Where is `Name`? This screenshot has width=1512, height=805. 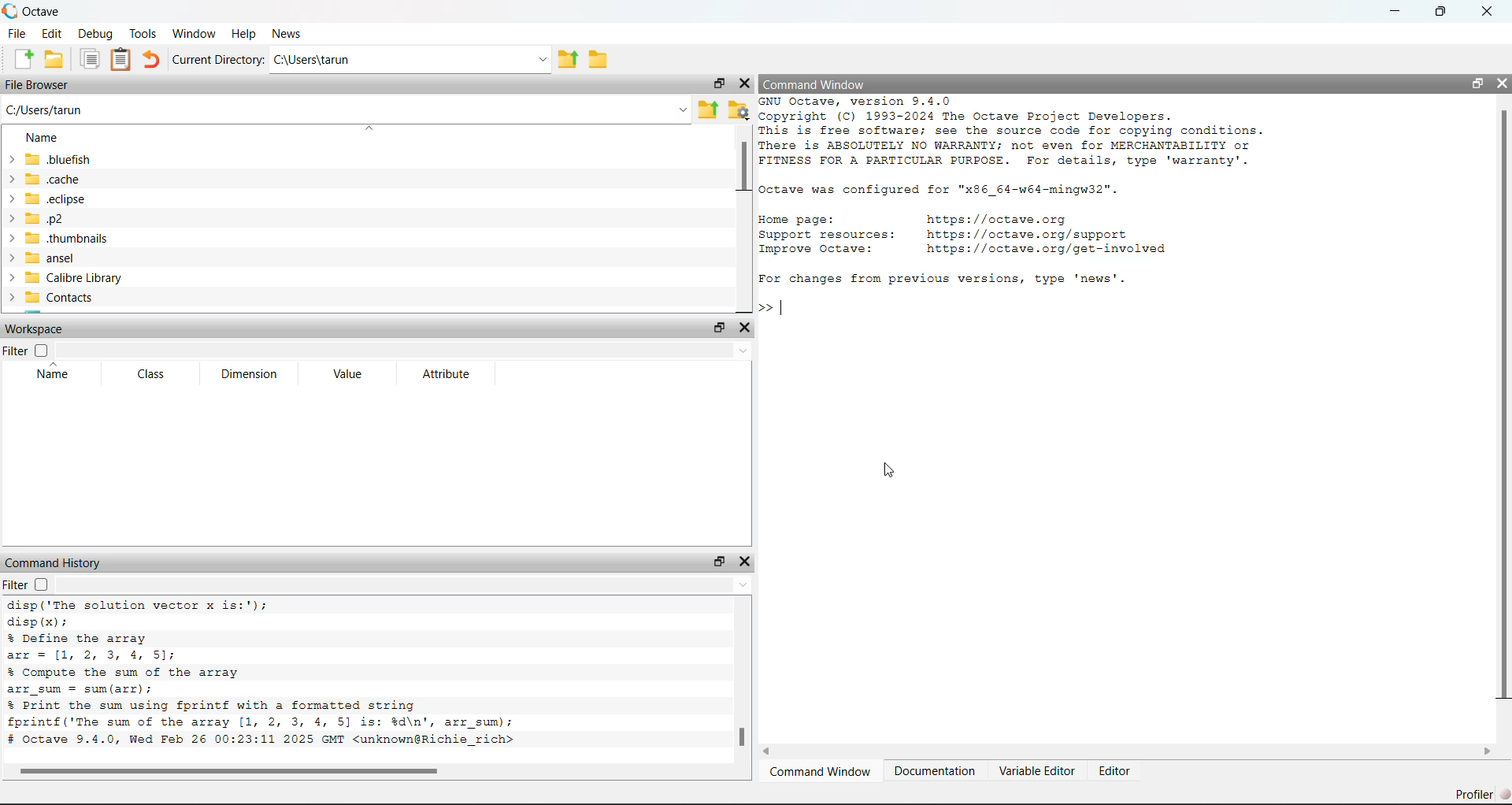
Name is located at coordinates (61, 374).